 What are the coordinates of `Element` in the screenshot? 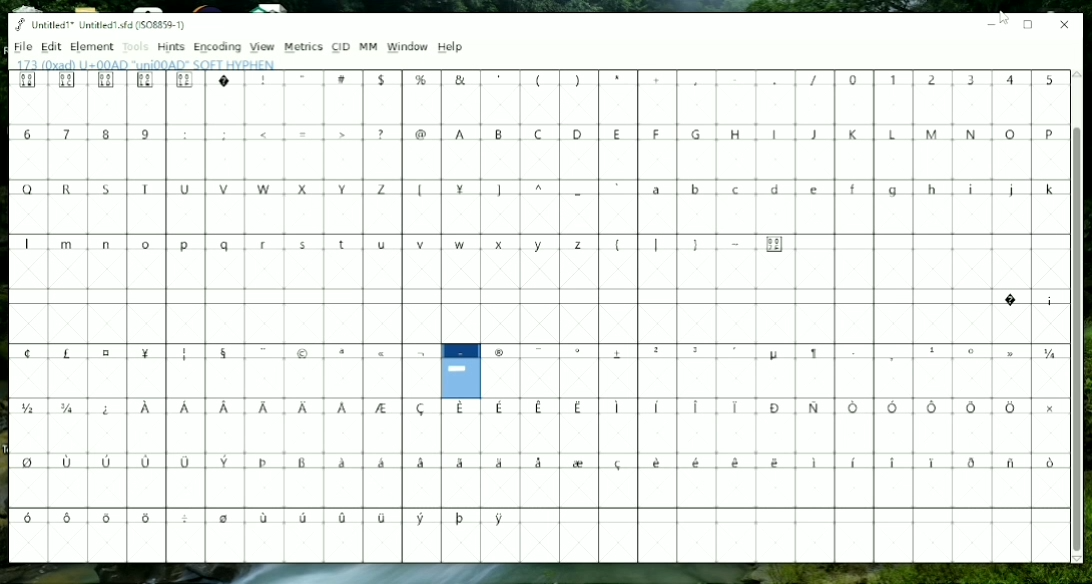 It's located at (91, 47).